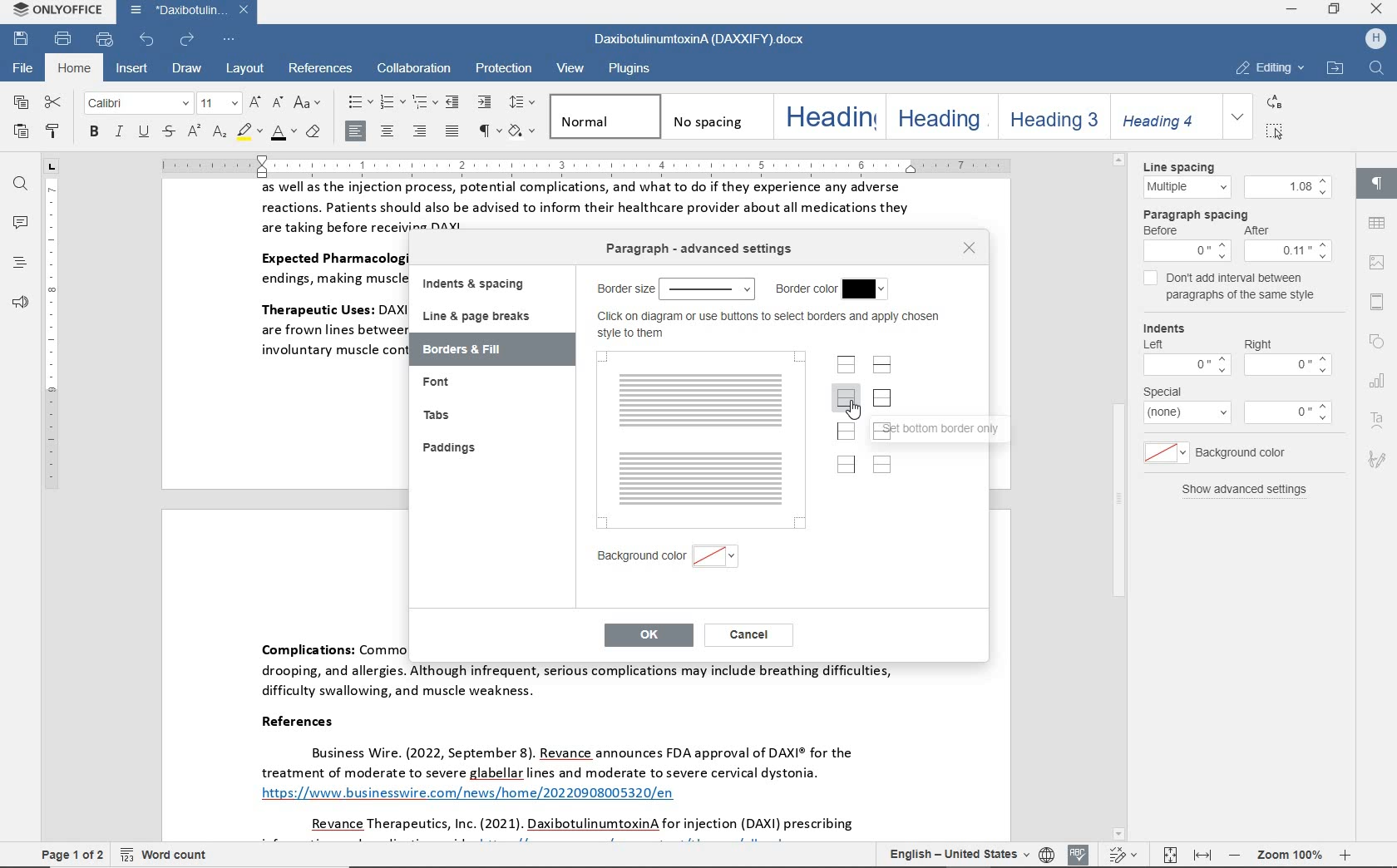 This screenshot has width=1397, height=868. What do you see at coordinates (191, 11) in the screenshot?
I see `document name` at bounding box center [191, 11].